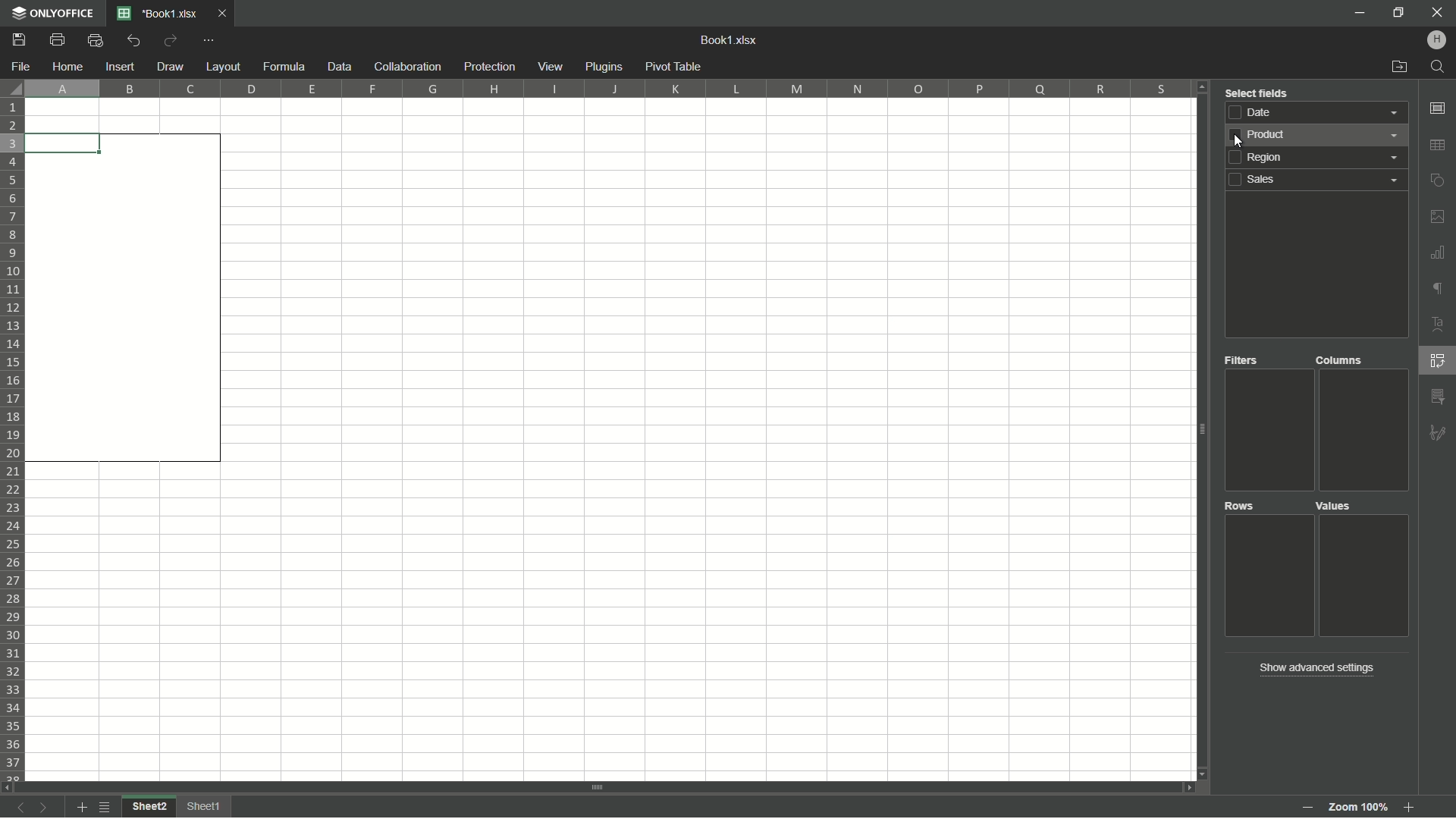 The width and height of the screenshot is (1456, 819). I want to click on scroll bar, so click(599, 786).